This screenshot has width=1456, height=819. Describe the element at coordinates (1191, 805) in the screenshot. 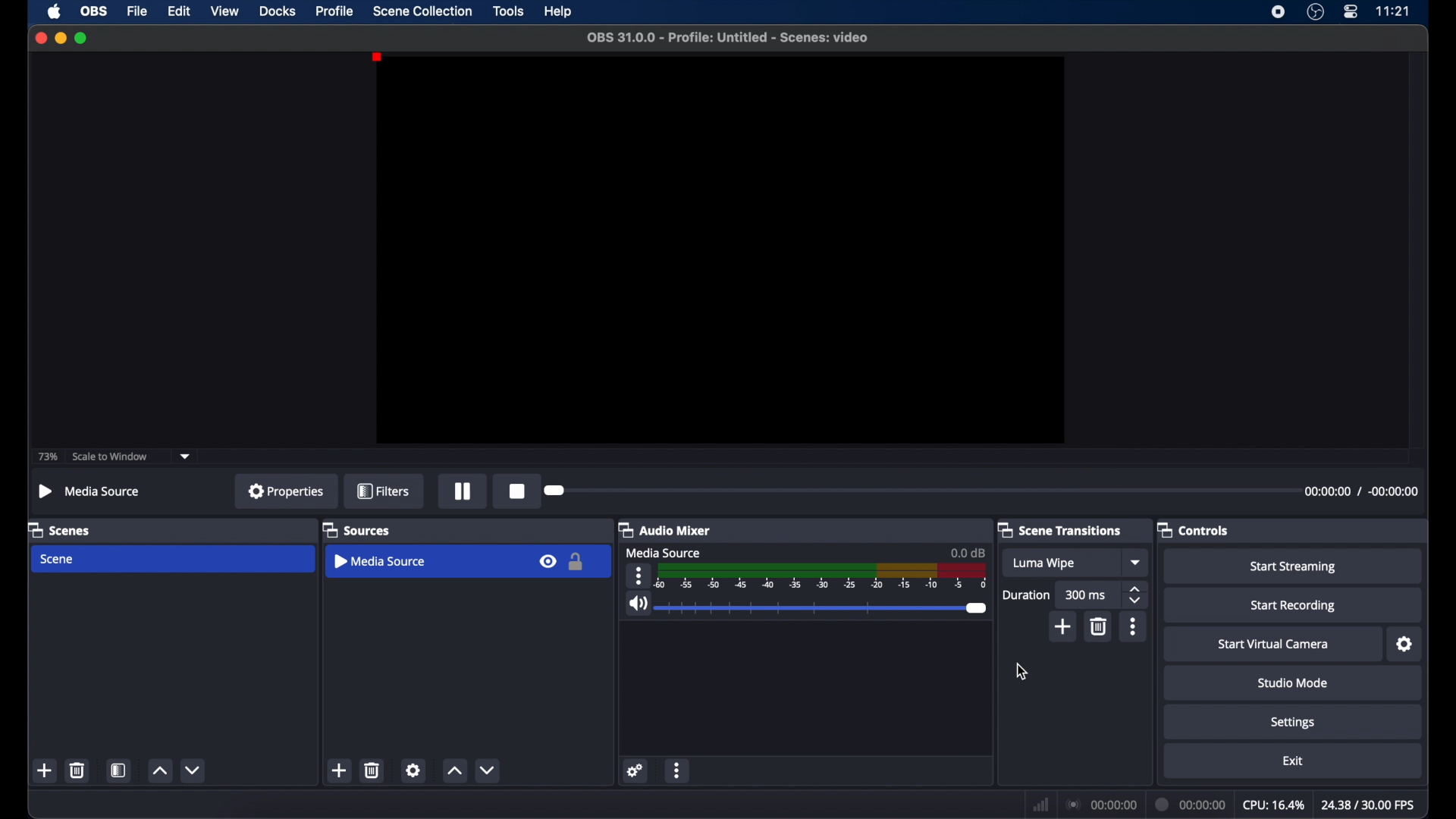

I see `duration` at that location.